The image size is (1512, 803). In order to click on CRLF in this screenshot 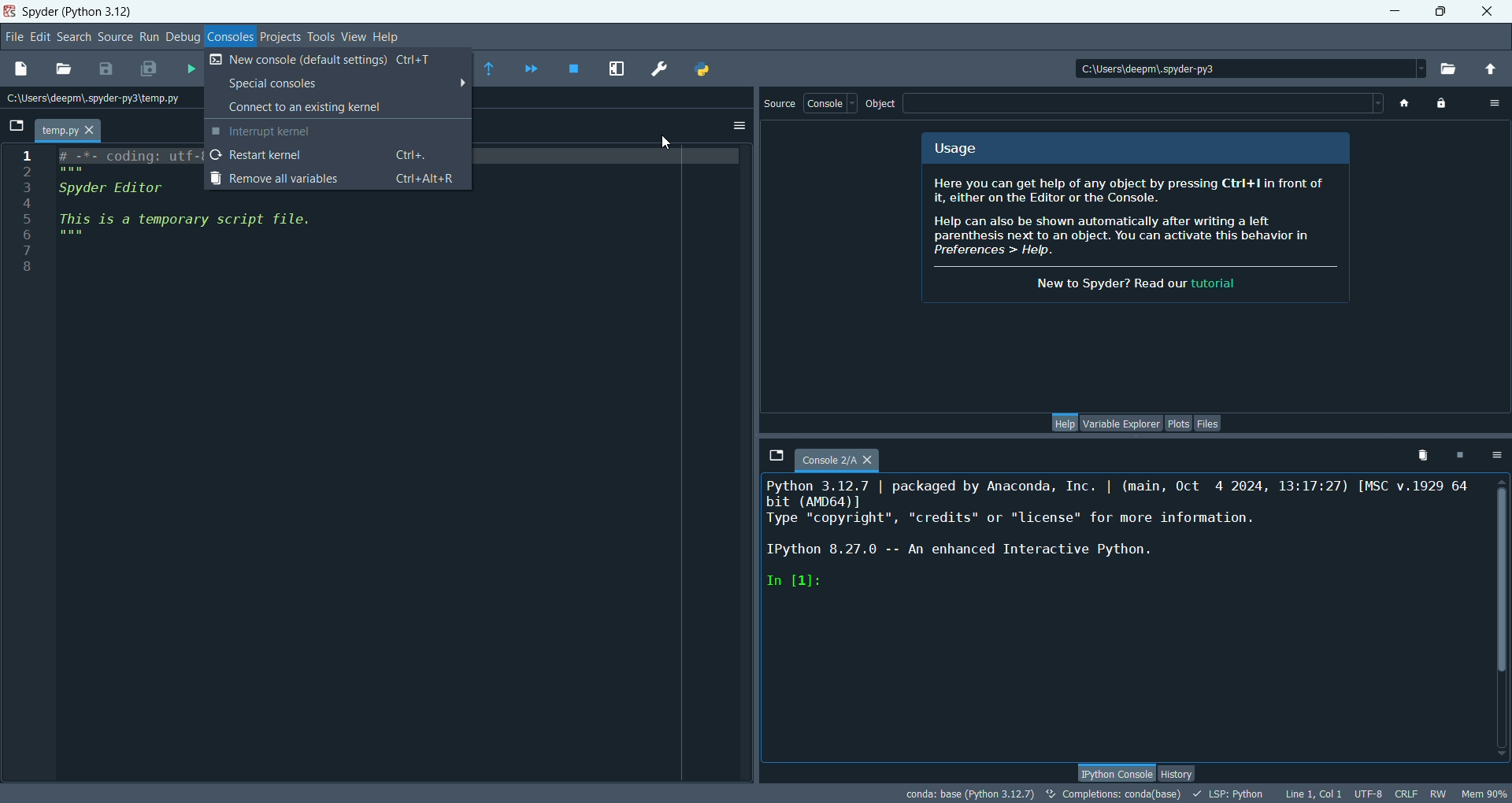, I will do `click(1407, 794)`.